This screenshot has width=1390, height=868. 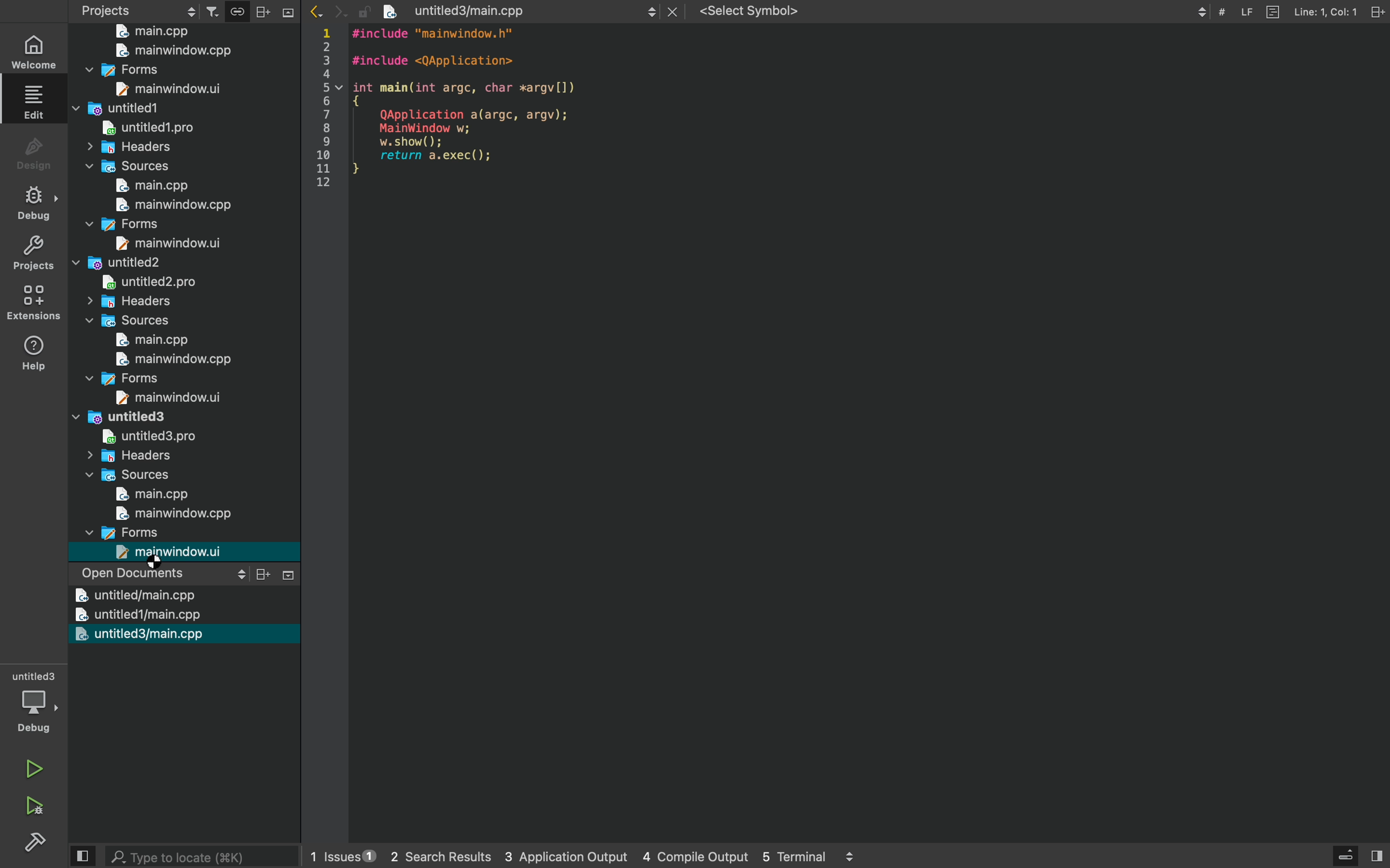 I want to click on 4 console output, so click(x=682, y=857).